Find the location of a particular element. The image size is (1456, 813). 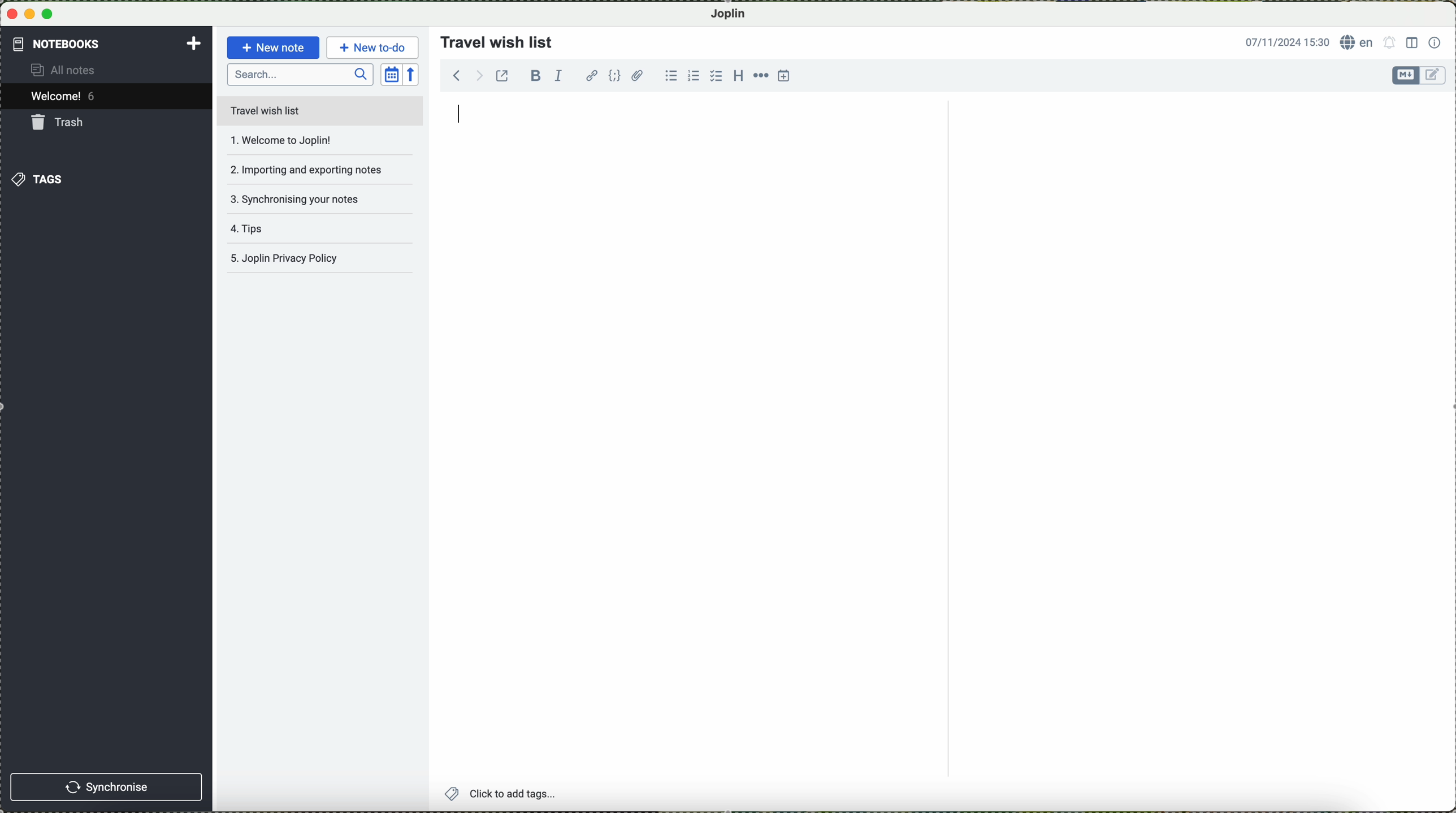

navigate is located at coordinates (461, 78).